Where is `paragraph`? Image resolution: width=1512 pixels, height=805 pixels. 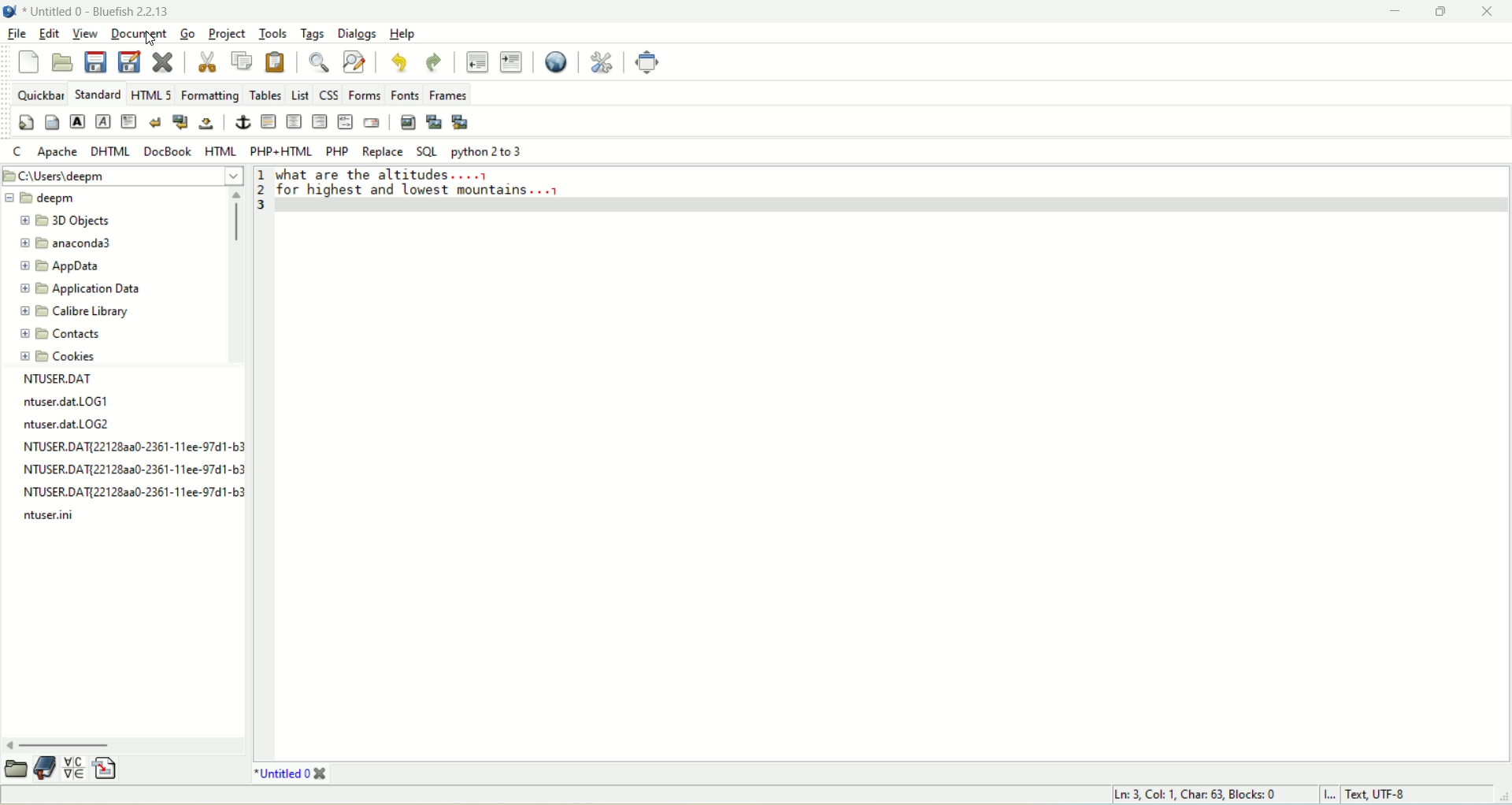 paragraph is located at coordinates (128, 121).